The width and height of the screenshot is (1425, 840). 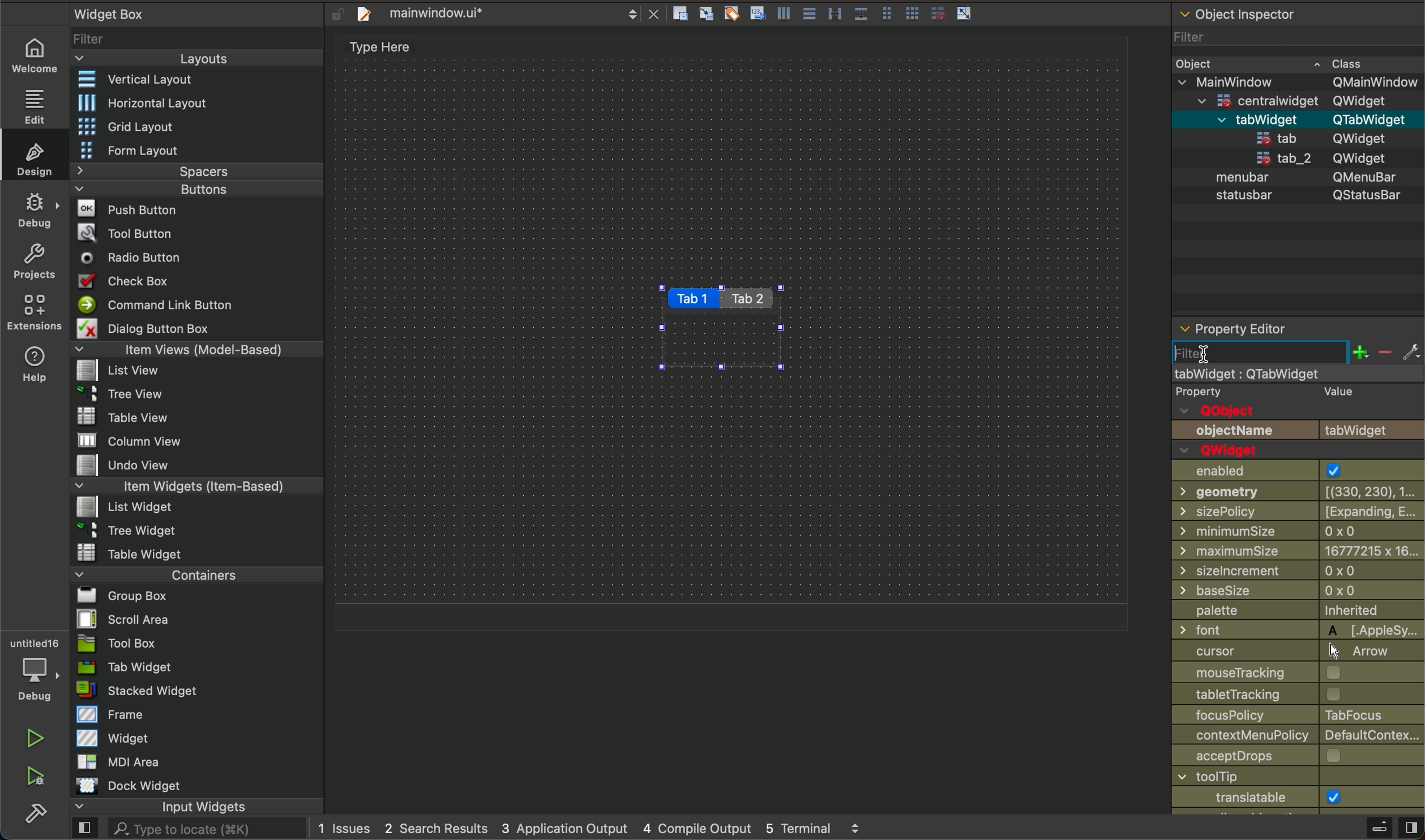 I want to click on =centralwidaet OWidaet, so click(x=1294, y=98).